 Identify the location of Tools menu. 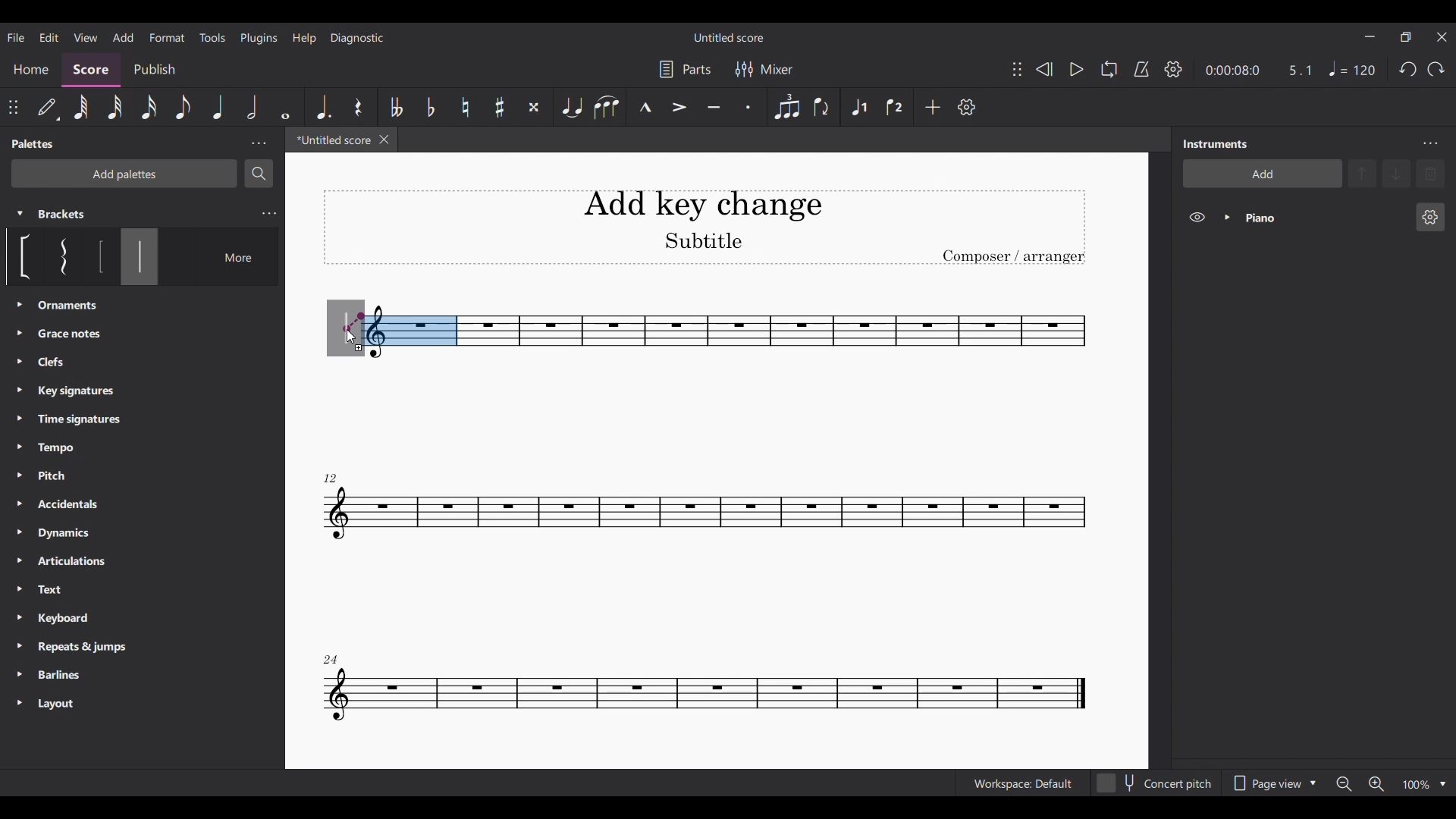
(212, 38).